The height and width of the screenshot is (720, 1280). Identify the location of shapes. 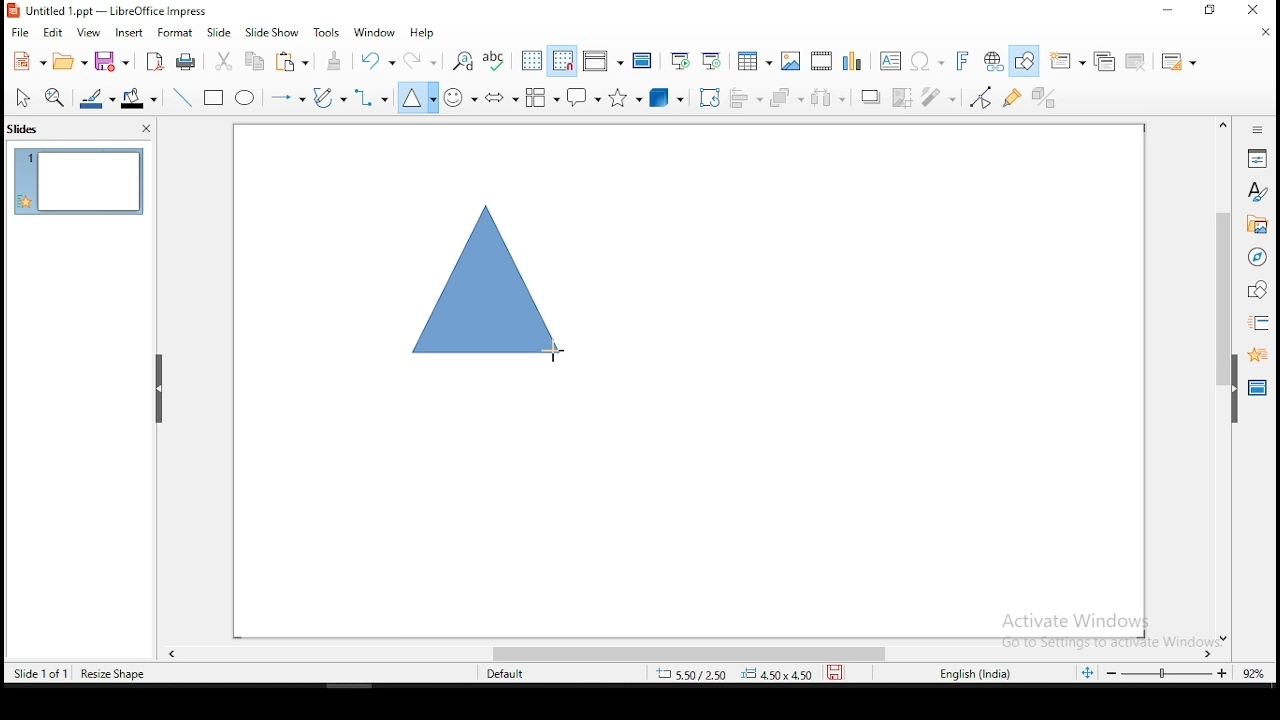
(1258, 291).